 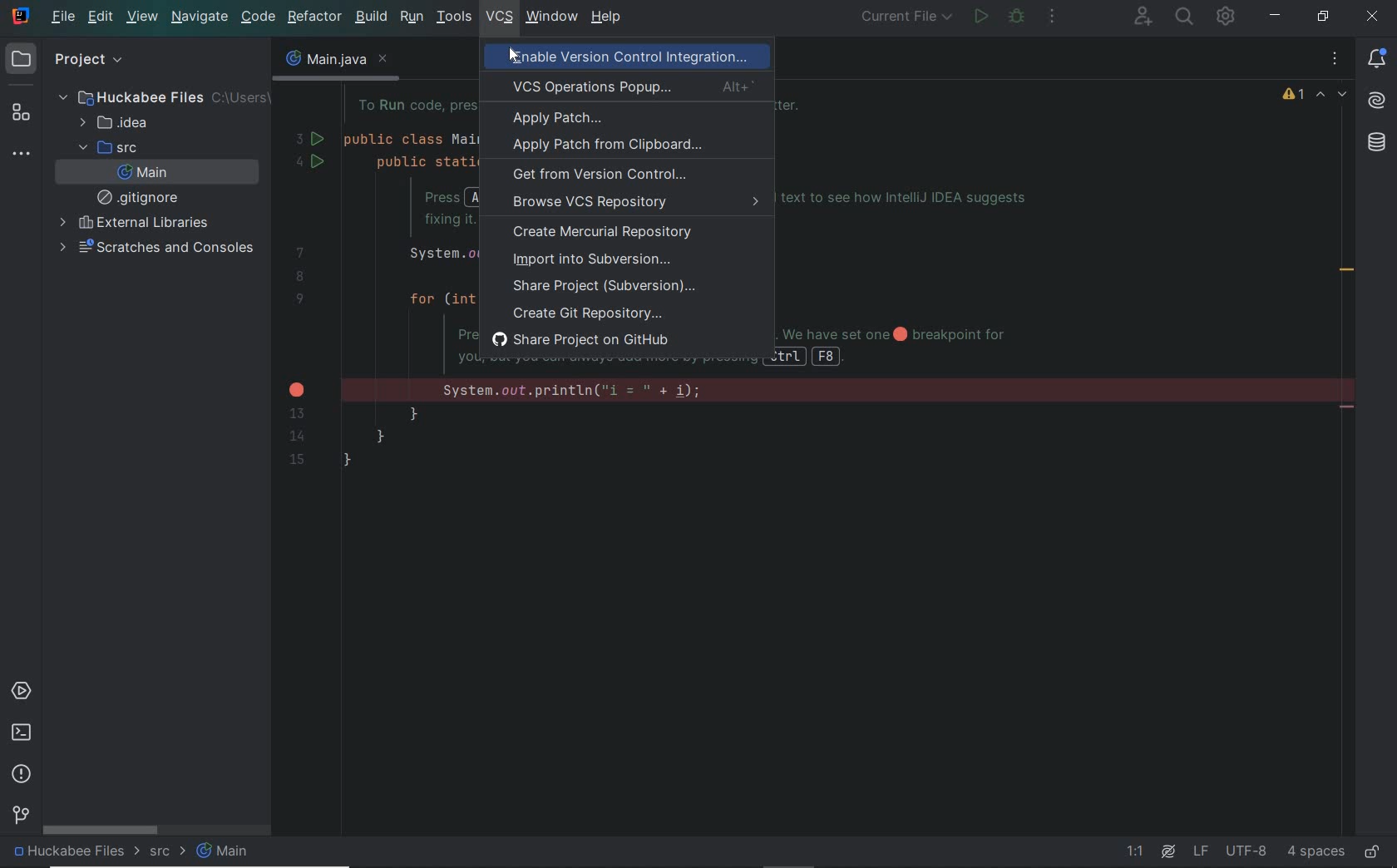 What do you see at coordinates (1336, 62) in the screenshot?
I see `recent files, tab actions` at bounding box center [1336, 62].